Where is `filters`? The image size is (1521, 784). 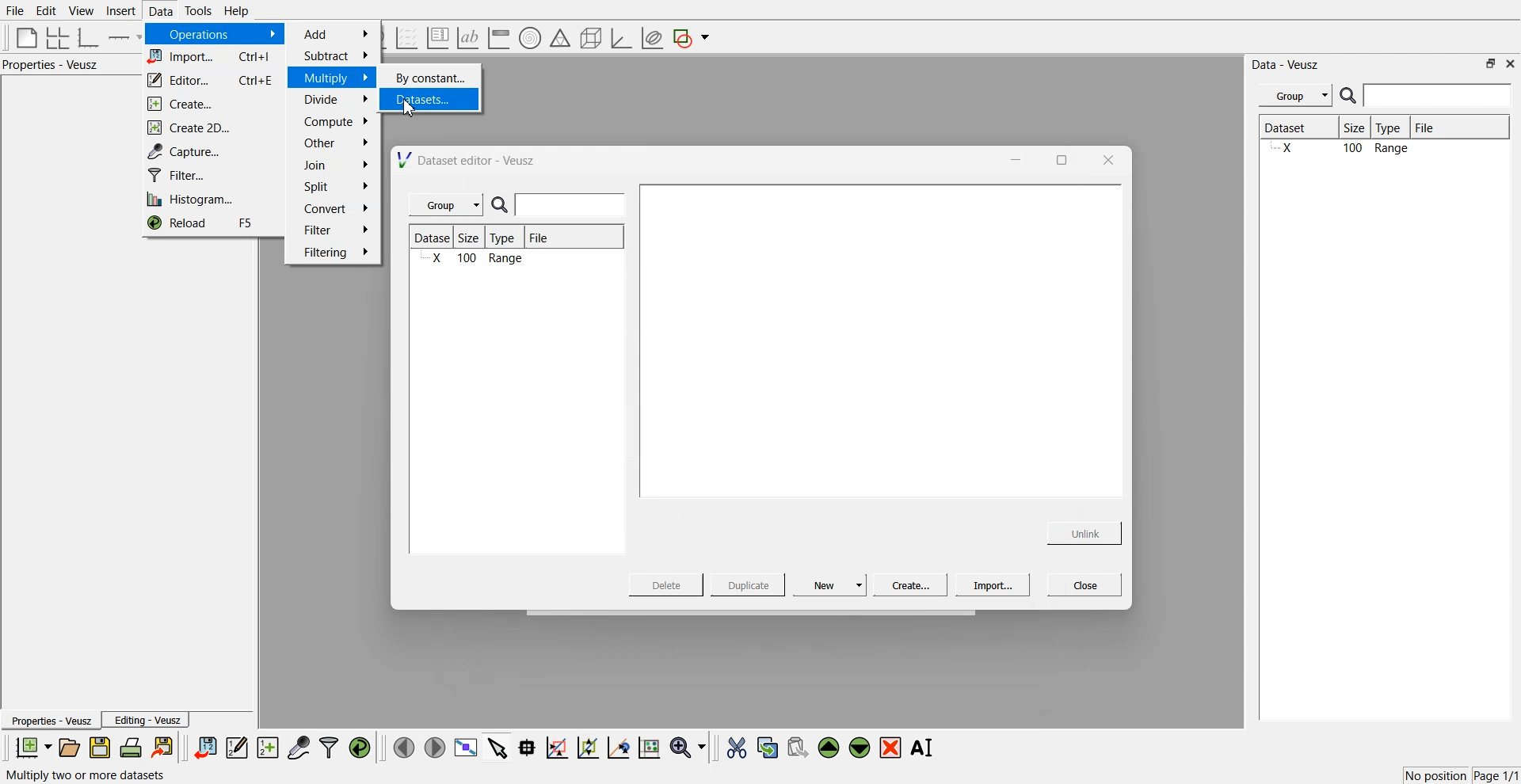
filters is located at coordinates (327, 748).